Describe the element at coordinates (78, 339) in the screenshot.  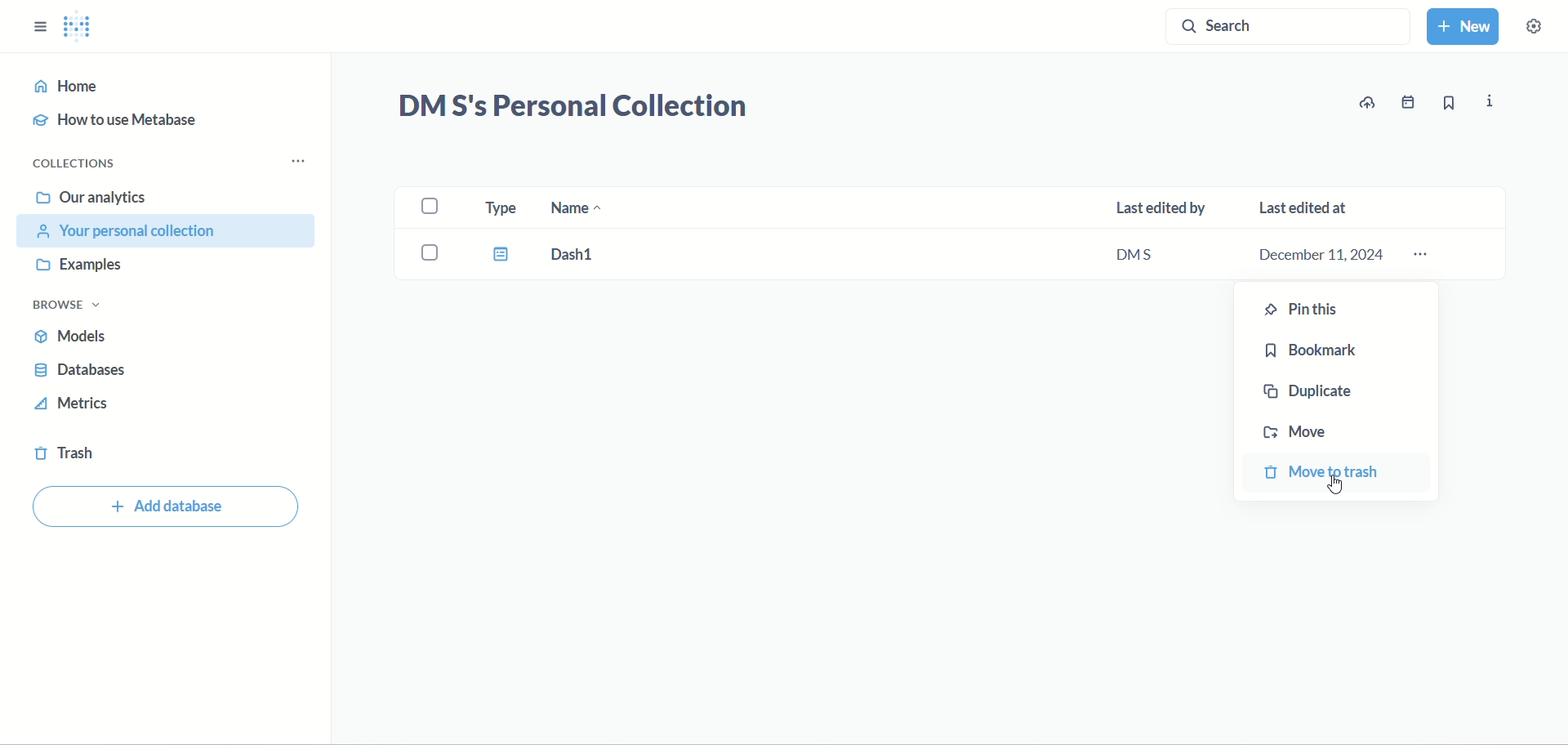
I see `models` at that location.